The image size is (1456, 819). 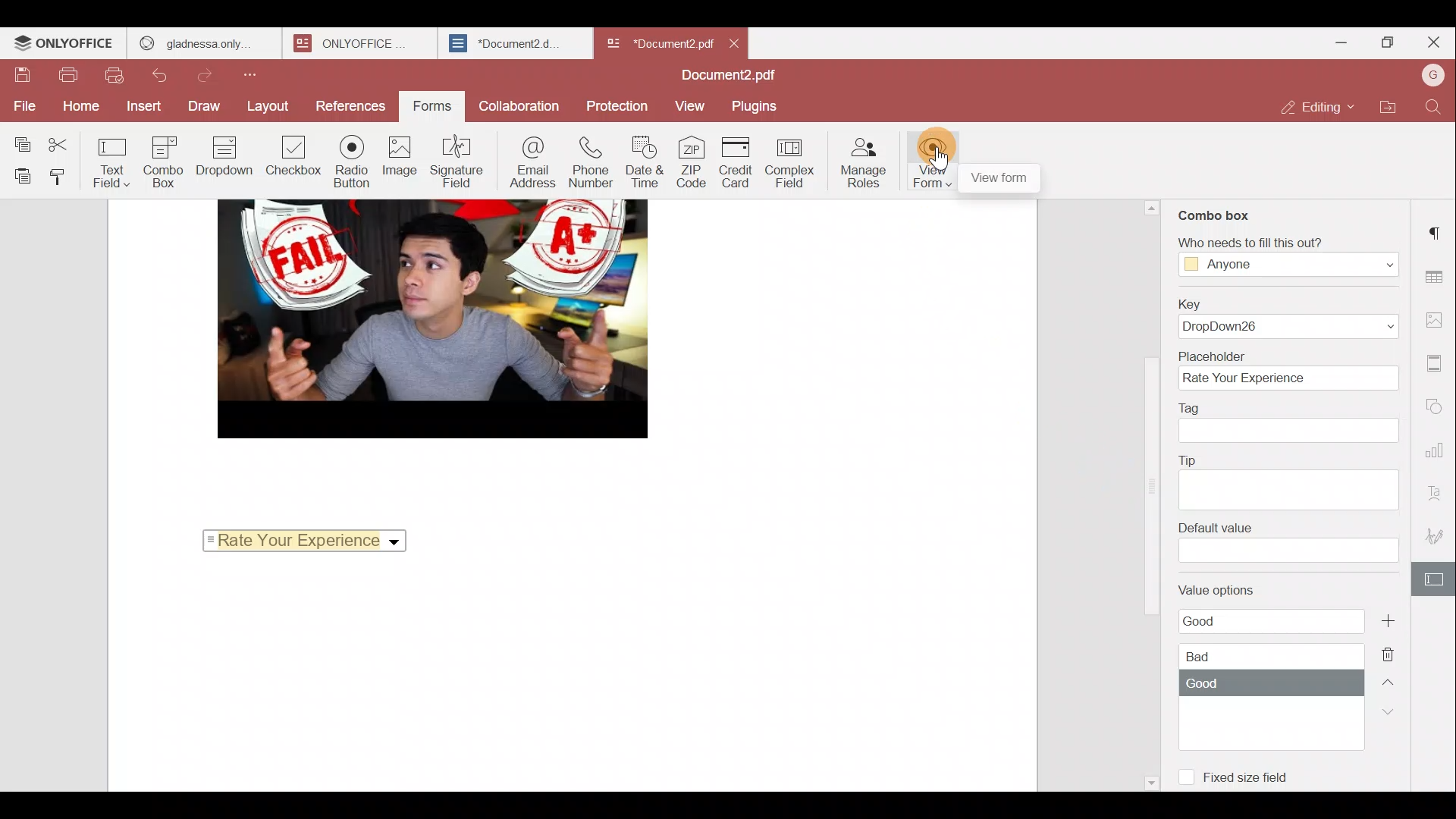 I want to click on Credit card, so click(x=738, y=162).